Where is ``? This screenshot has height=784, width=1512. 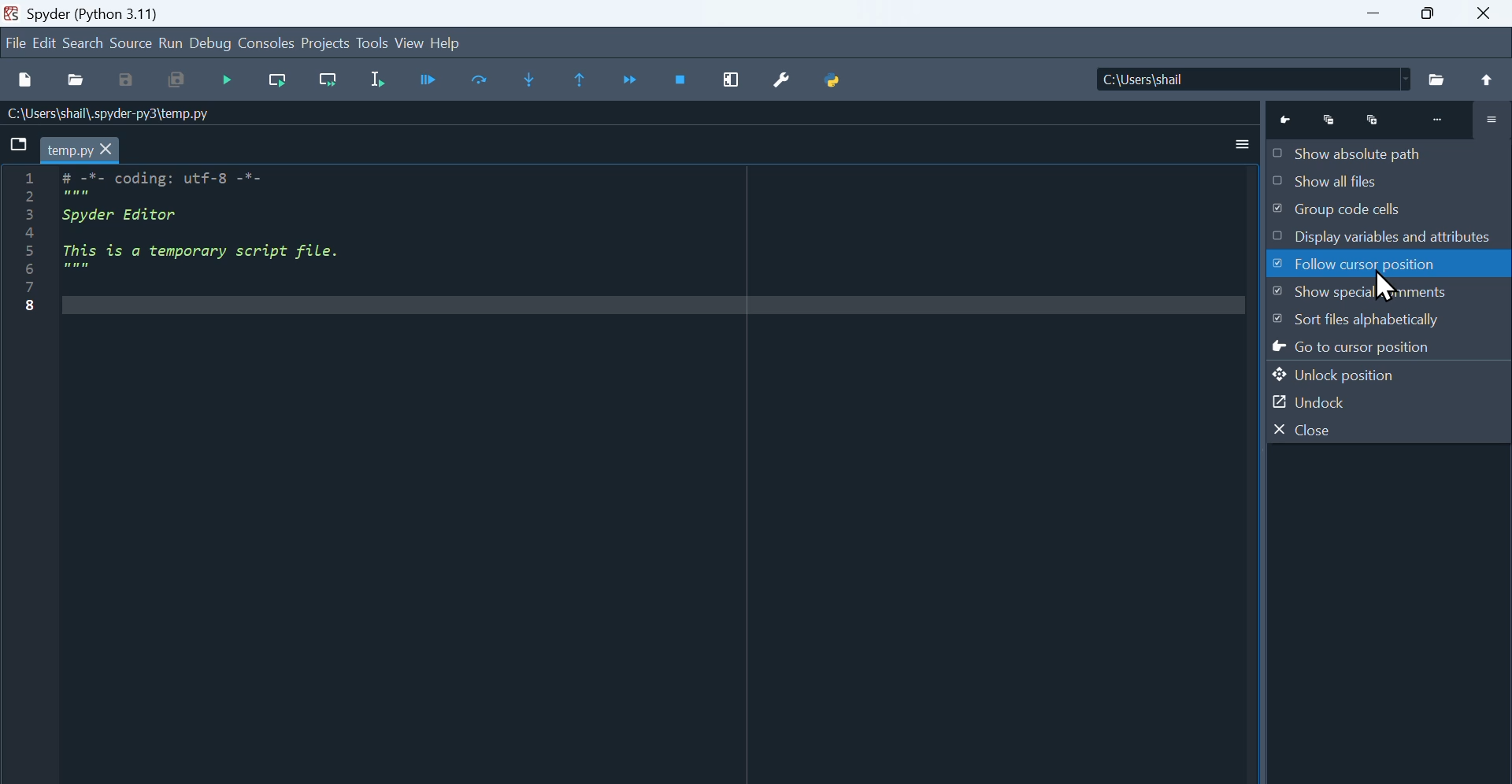
 is located at coordinates (478, 82).